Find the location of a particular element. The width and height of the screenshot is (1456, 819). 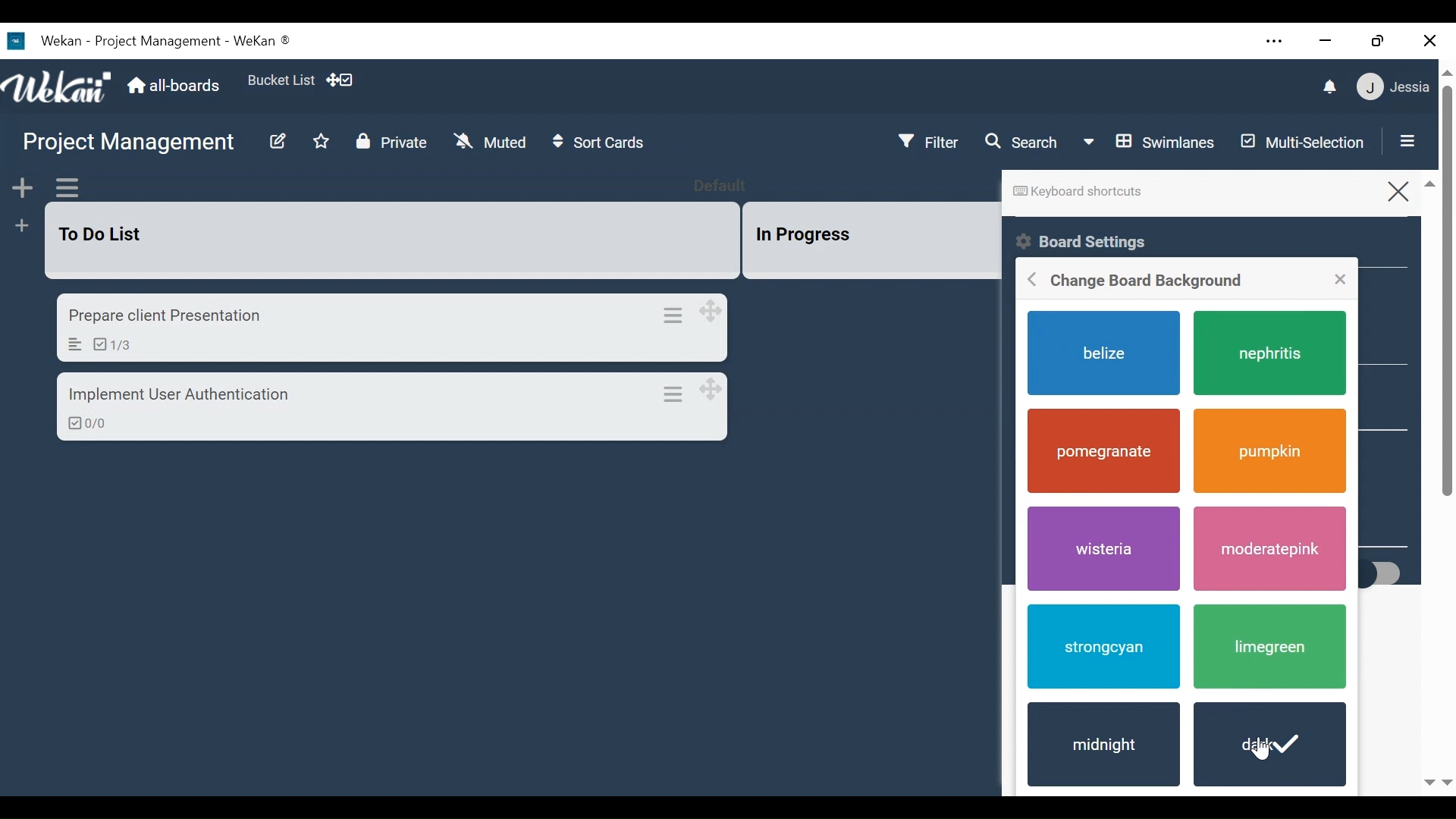

Filter is located at coordinates (934, 140).